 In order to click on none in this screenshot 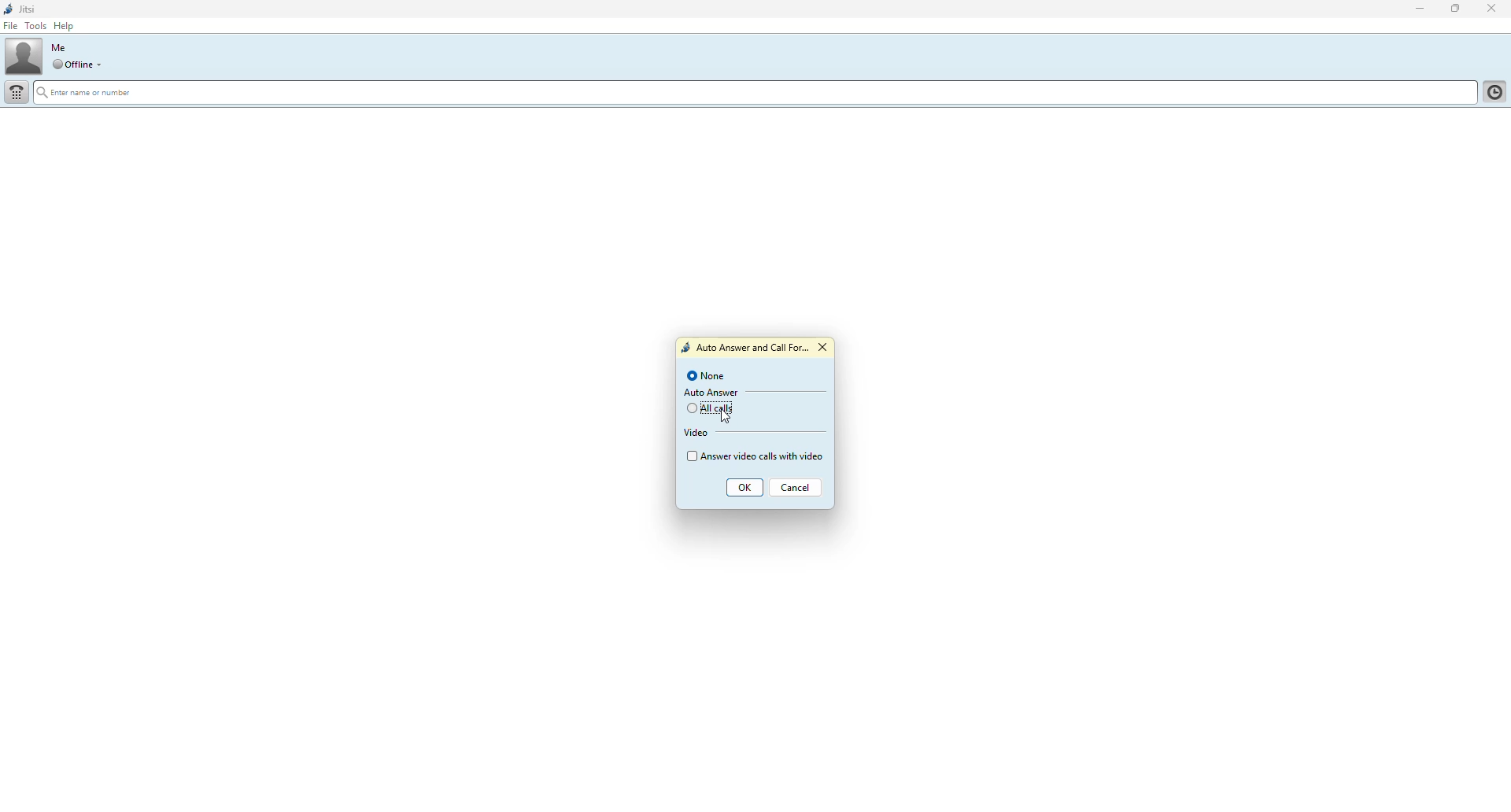, I will do `click(707, 376)`.